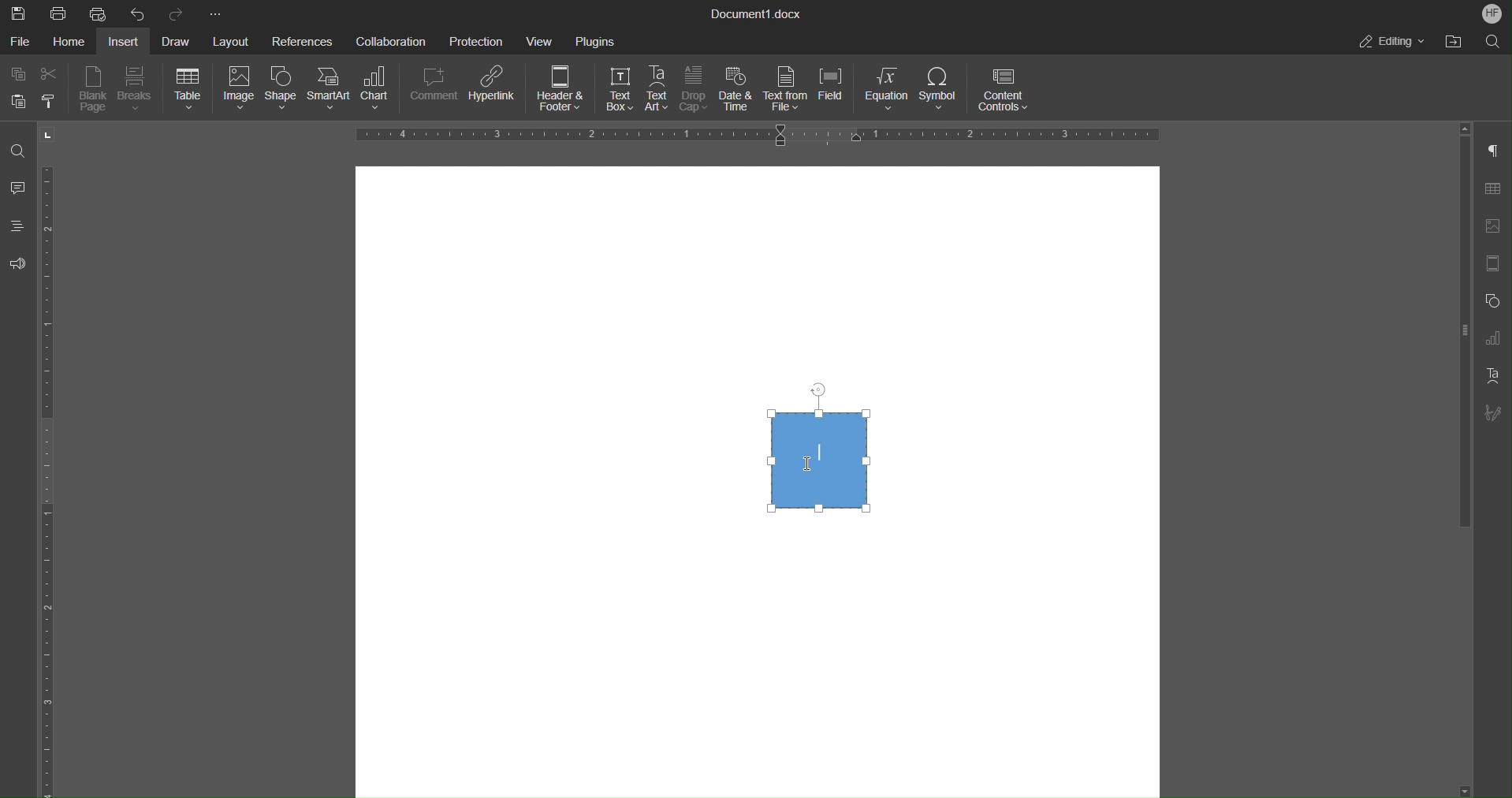  Describe the element at coordinates (17, 73) in the screenshot. I see `Copy` at that location.